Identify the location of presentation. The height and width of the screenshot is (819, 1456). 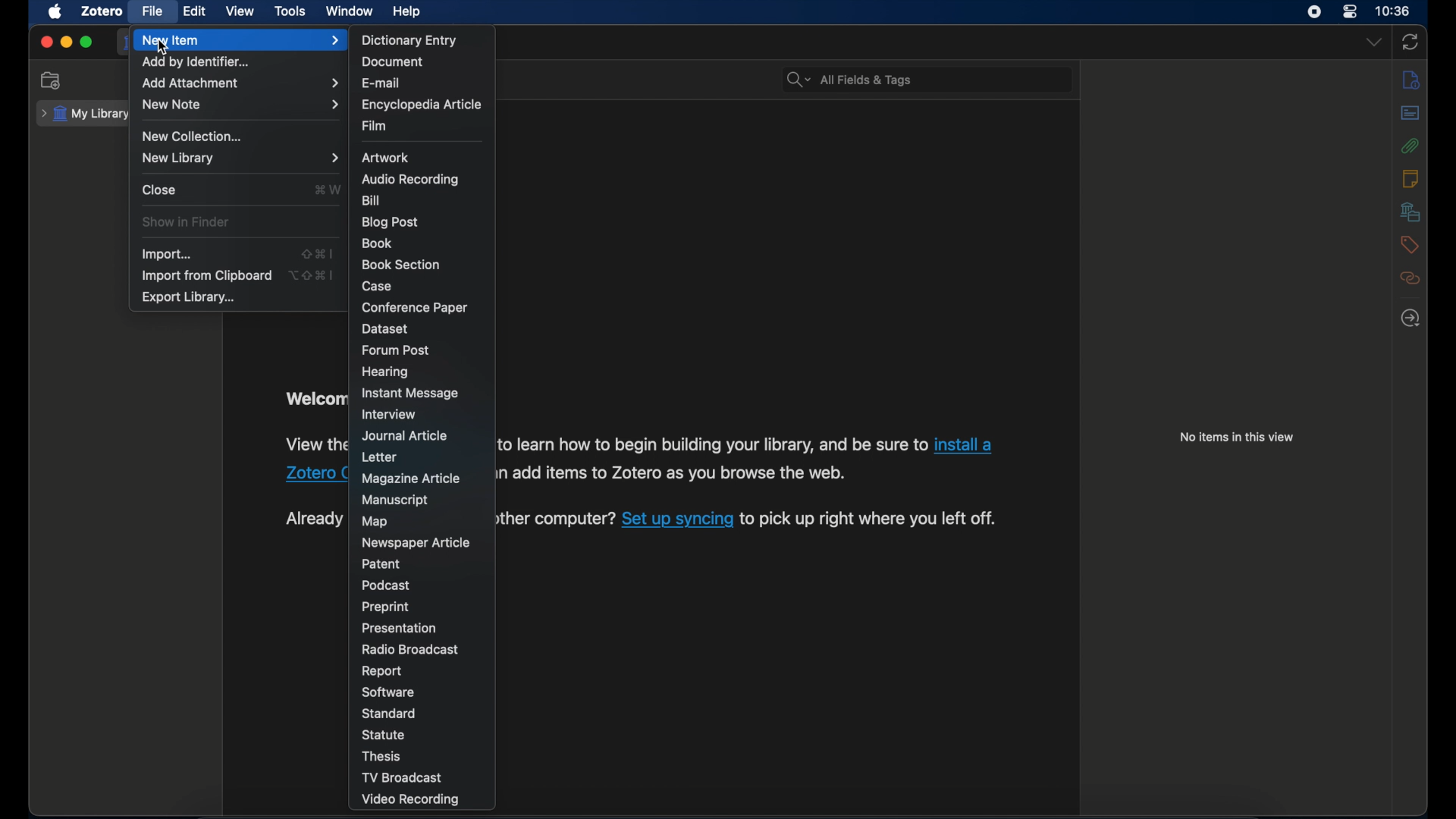
(400, 626).